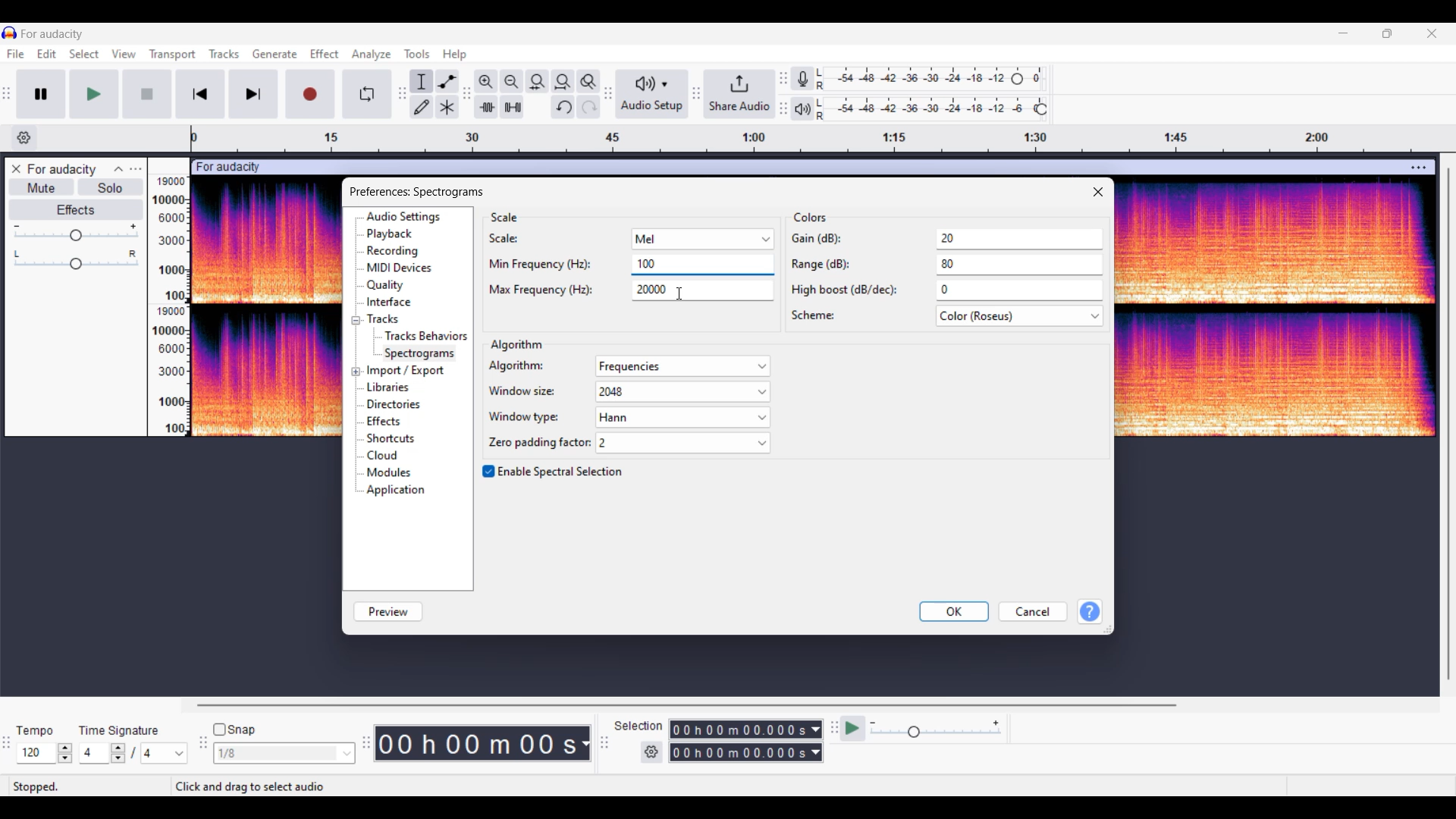 The image size is (1456, 819). What do you see at coordinates (397, 251) in the screenshot?
I see `recording` at bounding box center [397, 251].